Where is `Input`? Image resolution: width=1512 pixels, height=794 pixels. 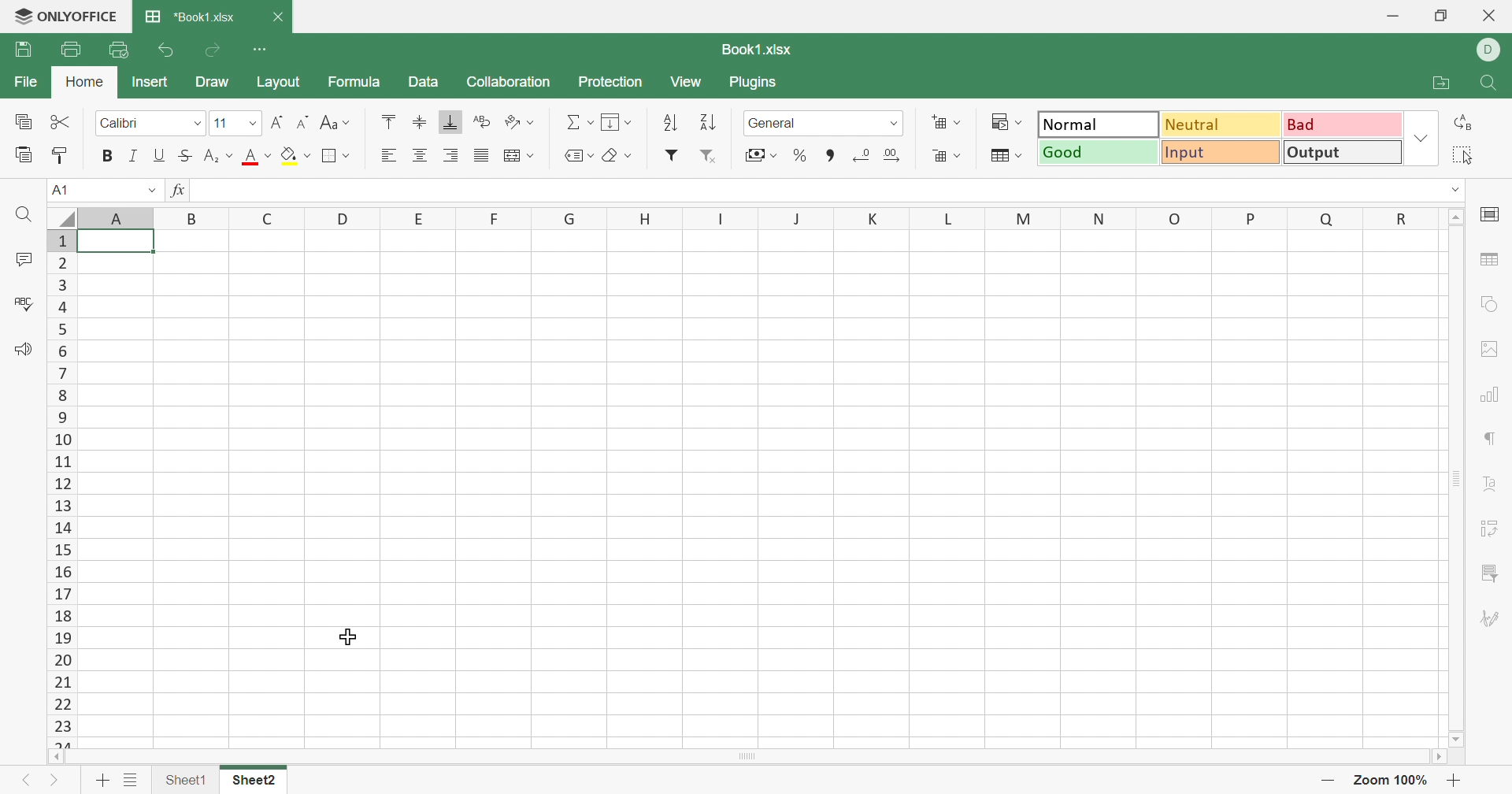
Input is located at coordinates (1218, 153).